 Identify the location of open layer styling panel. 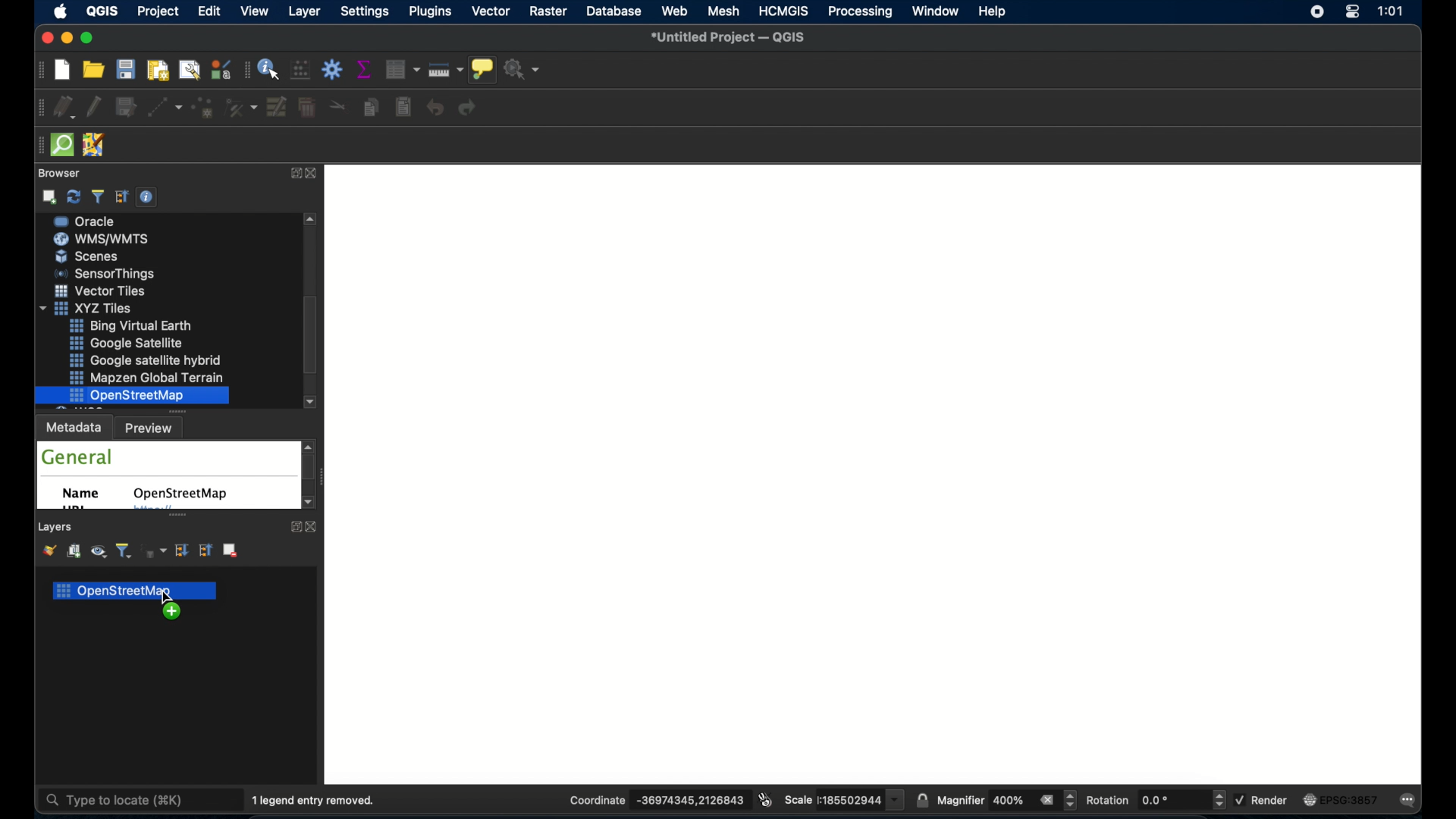
(47, 552).